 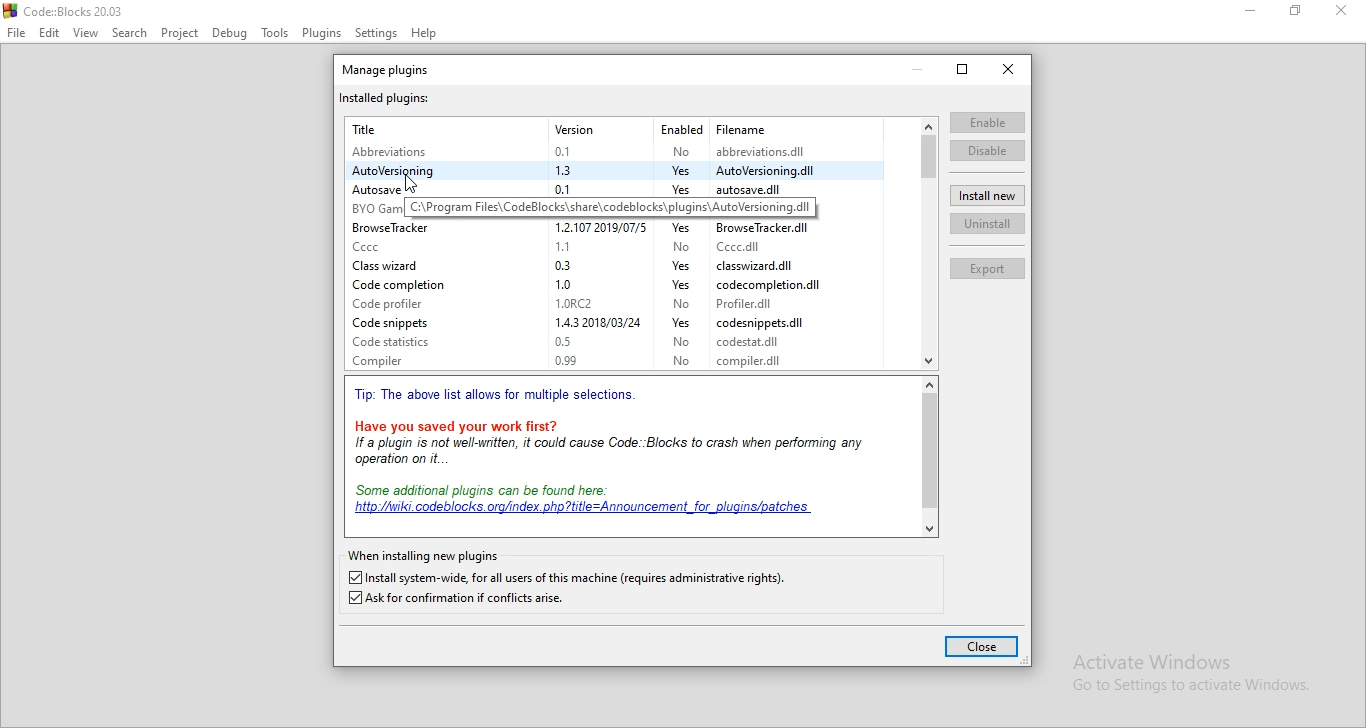 What do you see at coordinates (17, 34) in the screenshot?
I see `file` at bounding box center [17, 34].